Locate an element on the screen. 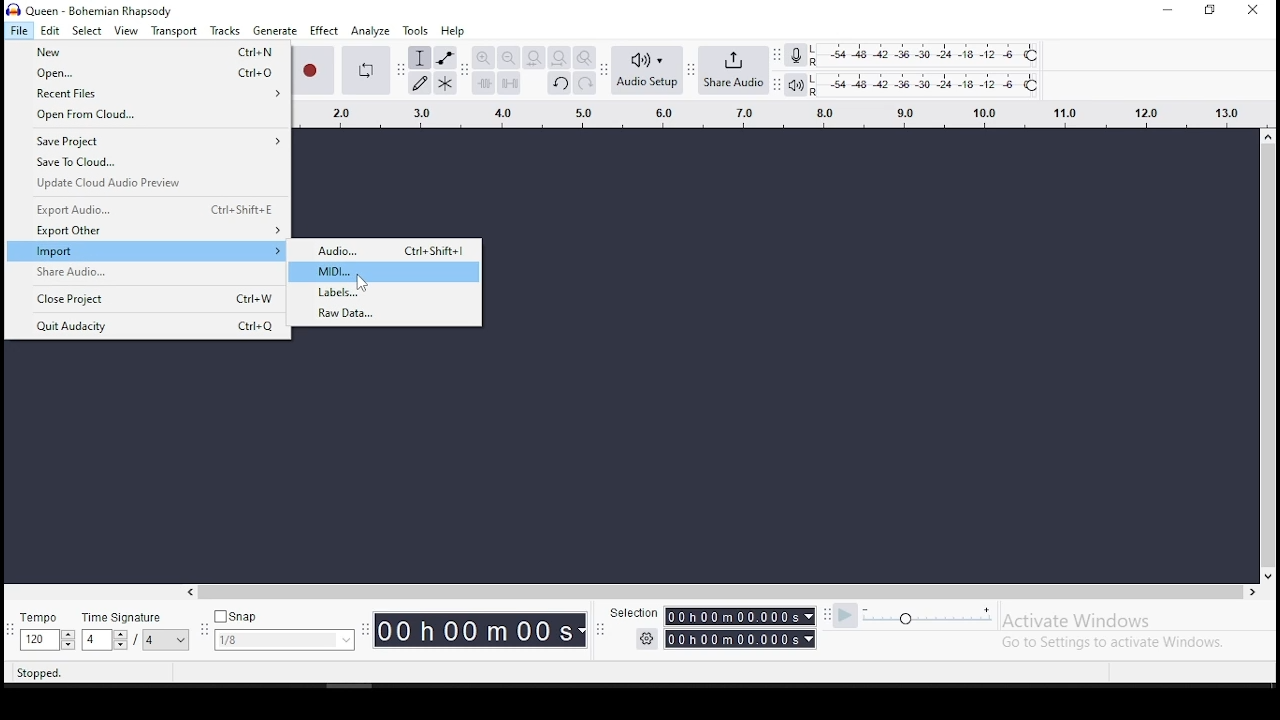  MIDI is located at coordinates (387, 272).